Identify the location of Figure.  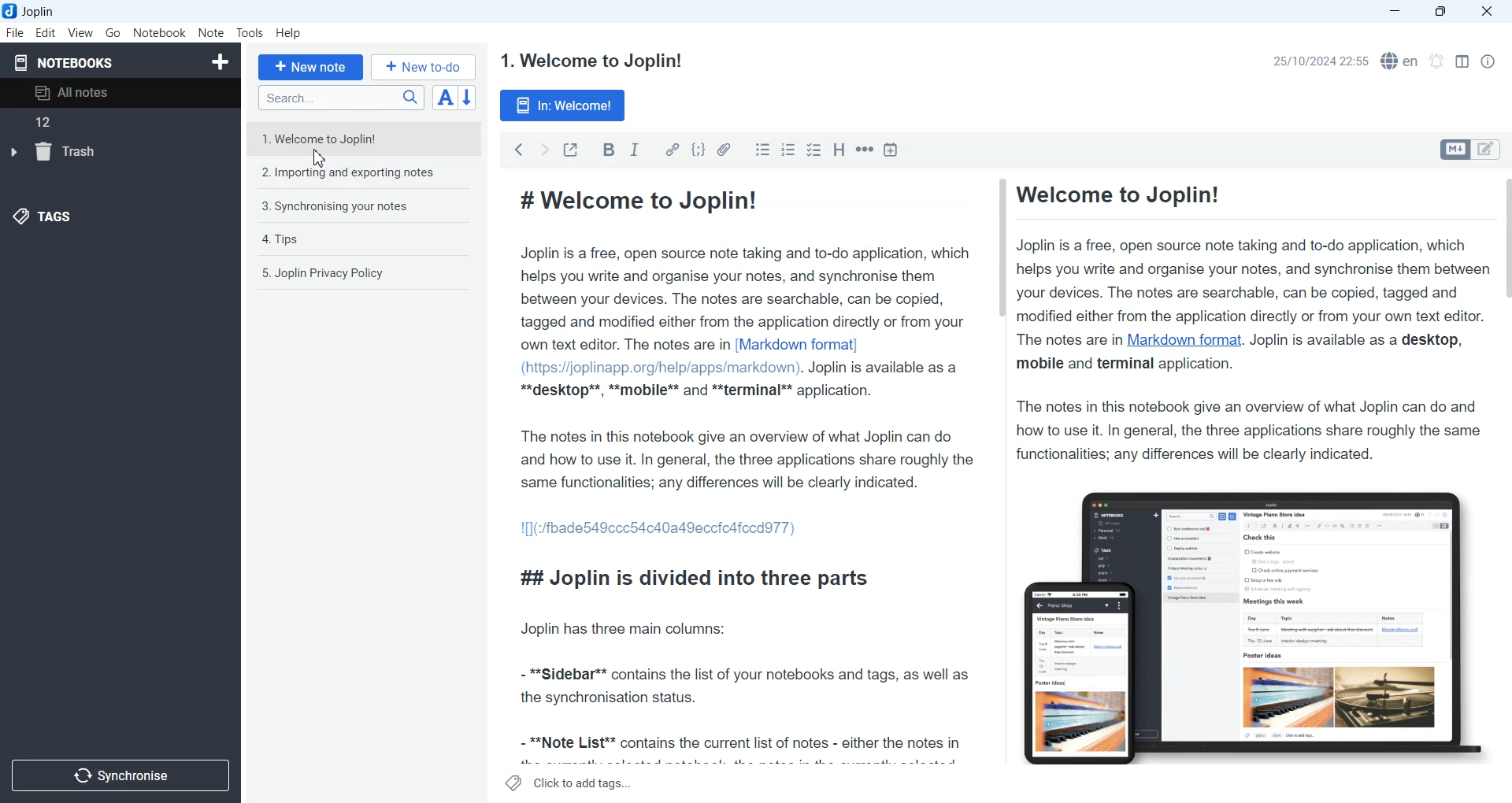
(1244, 620).